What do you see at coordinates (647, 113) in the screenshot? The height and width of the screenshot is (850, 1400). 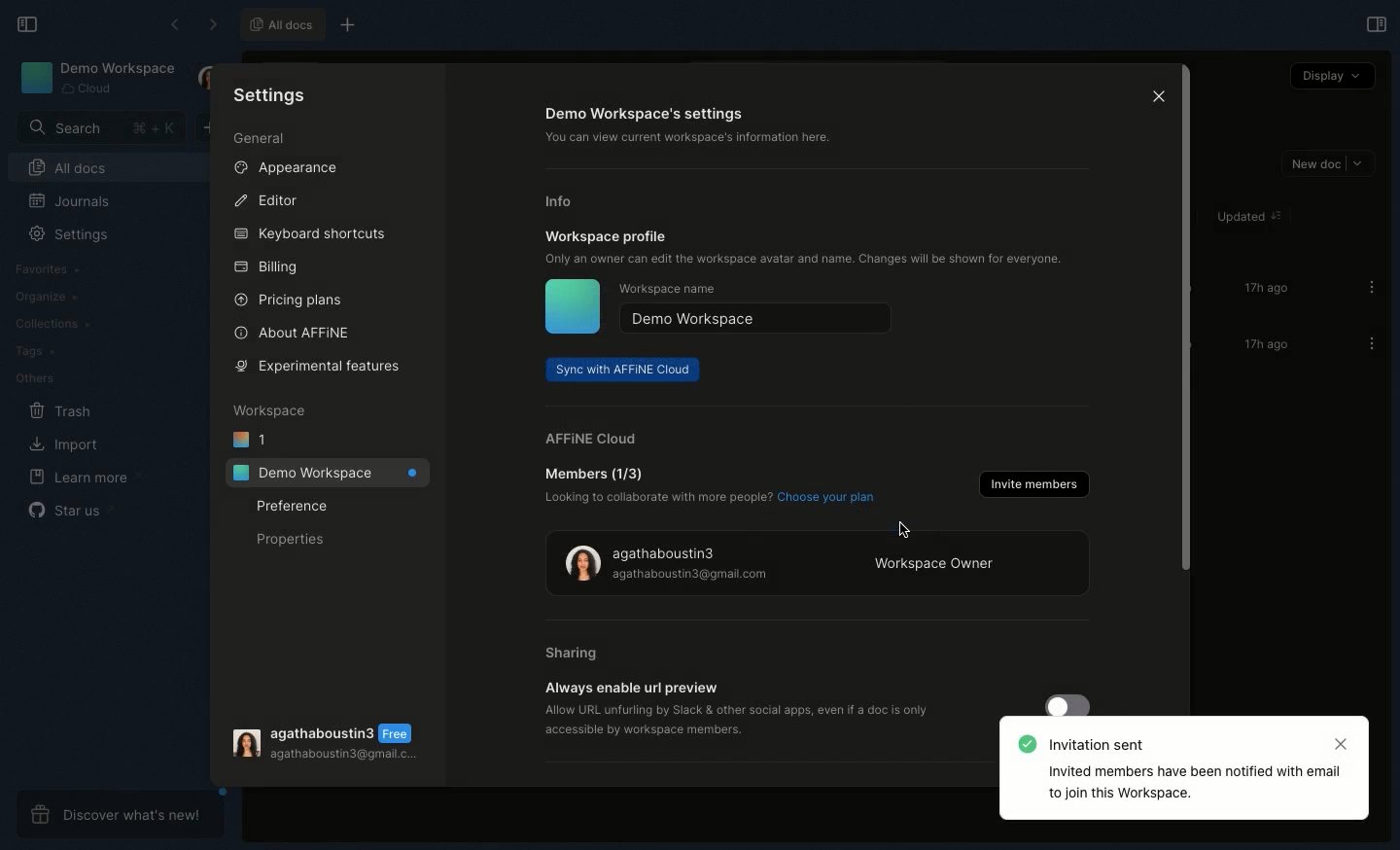 I see `Demo workspace's settings` at bounding box center [647, 113].